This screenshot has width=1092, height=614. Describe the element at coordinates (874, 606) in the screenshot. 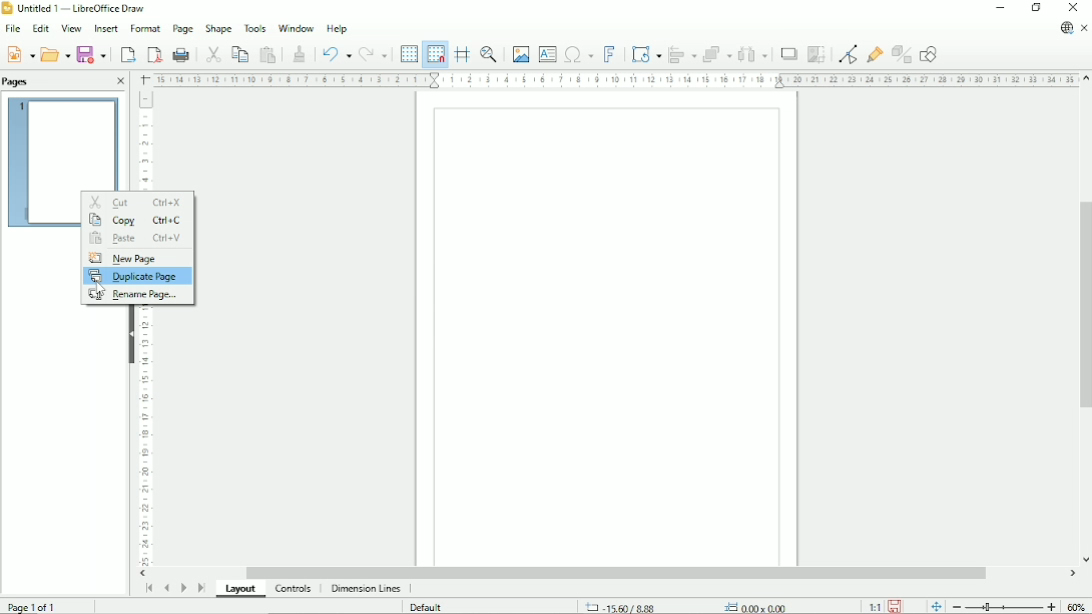

I see `Scaling factor` at that location.